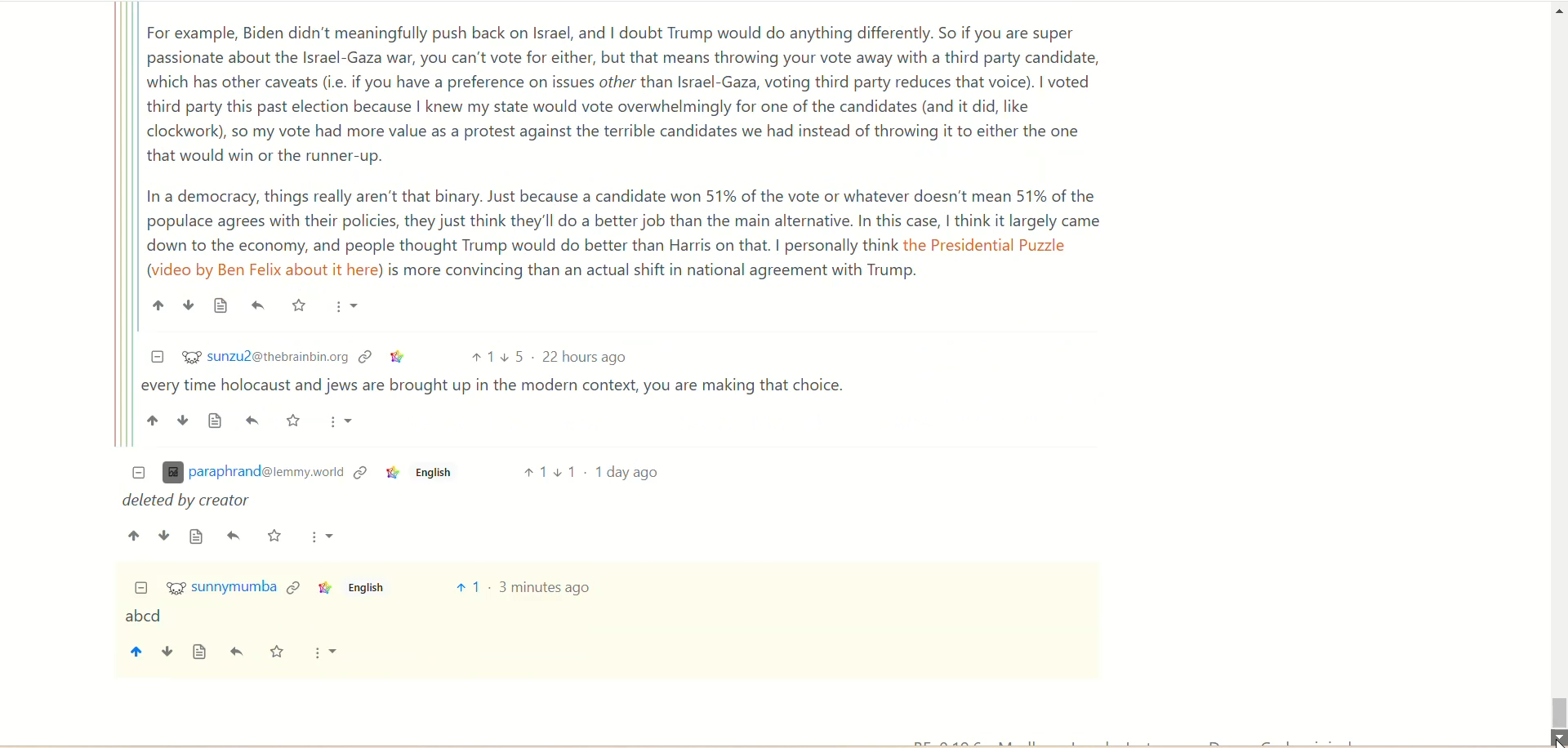 This screenshot has height=748, width=1568. I want to click on view source, so click(202, 651).